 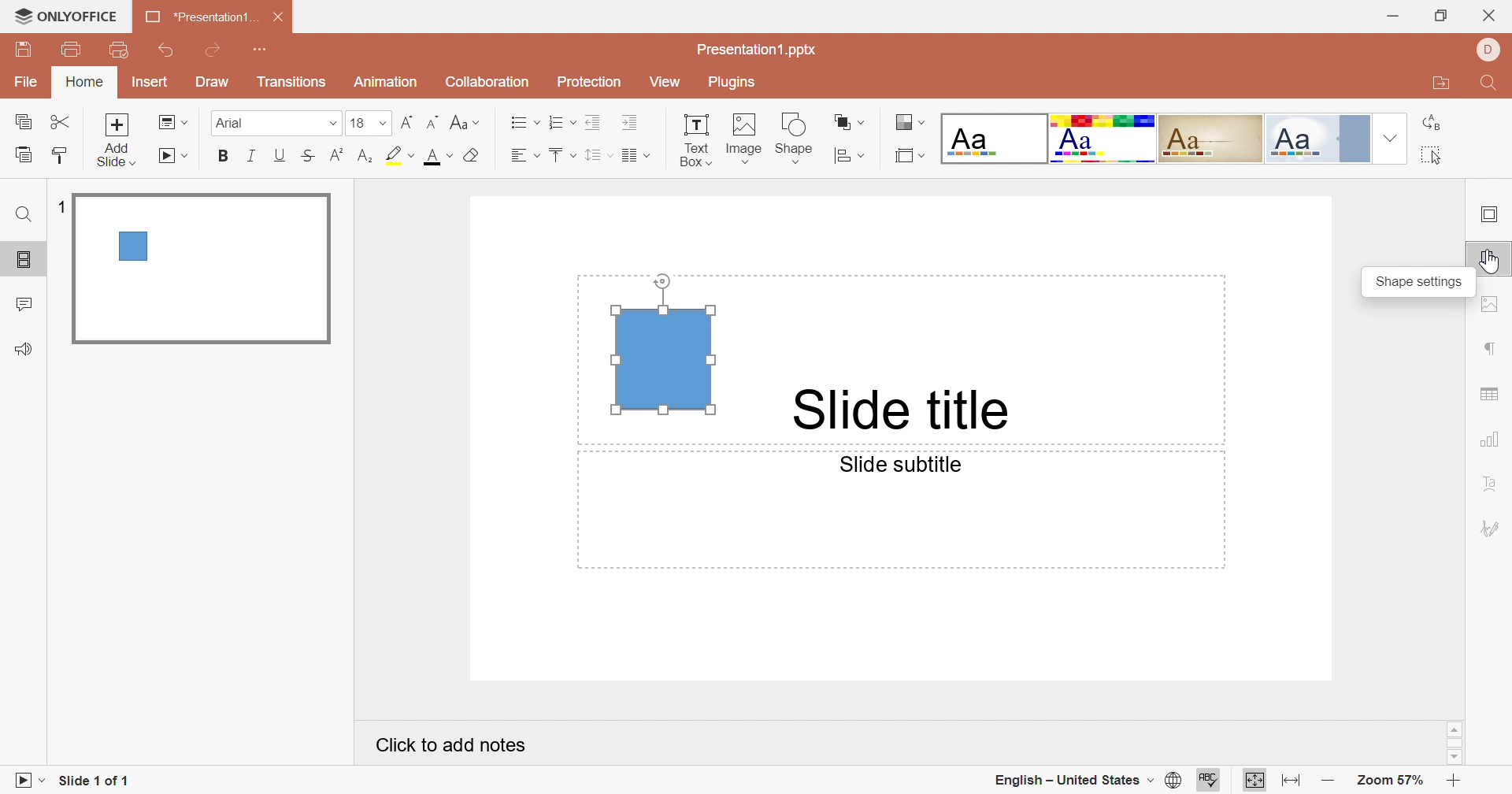 What do you see at coordinates (252, 156) in the screenshot?
I see `Italic` at bounding box center [252, 156].